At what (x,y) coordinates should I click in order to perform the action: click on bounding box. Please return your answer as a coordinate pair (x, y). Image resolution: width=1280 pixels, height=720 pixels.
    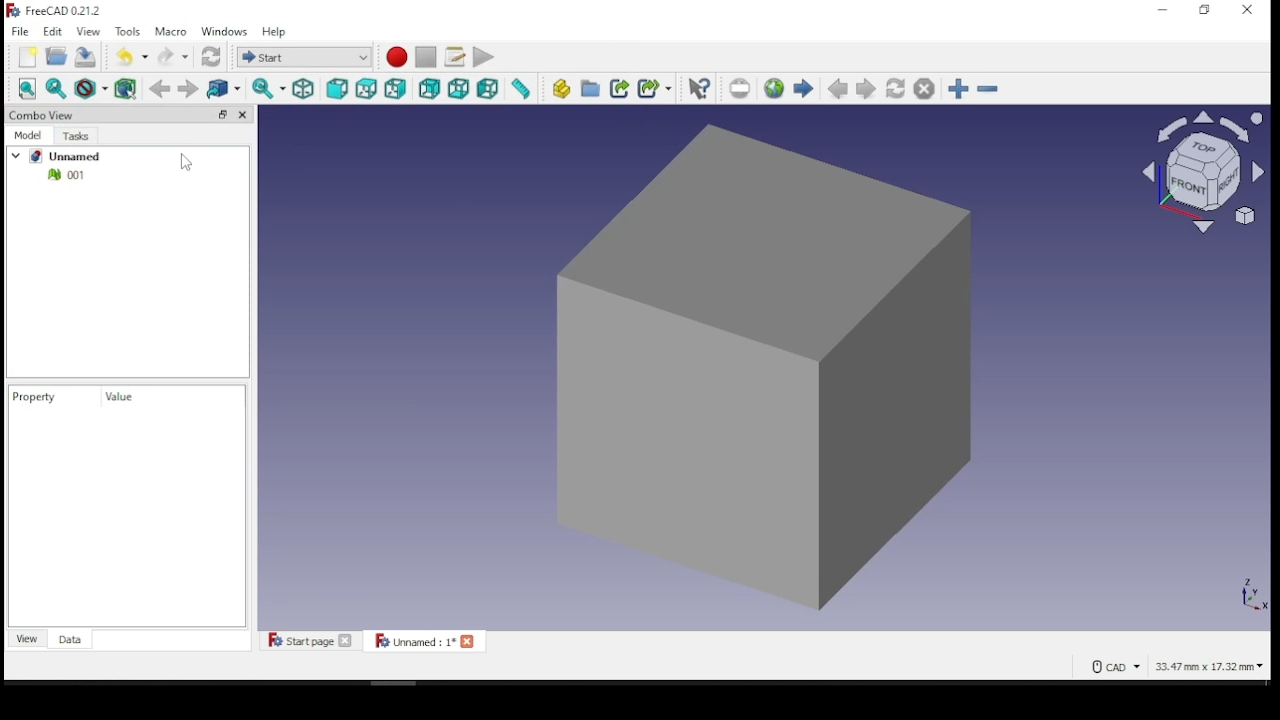
    Looking at the image, I should click on (120, 88).